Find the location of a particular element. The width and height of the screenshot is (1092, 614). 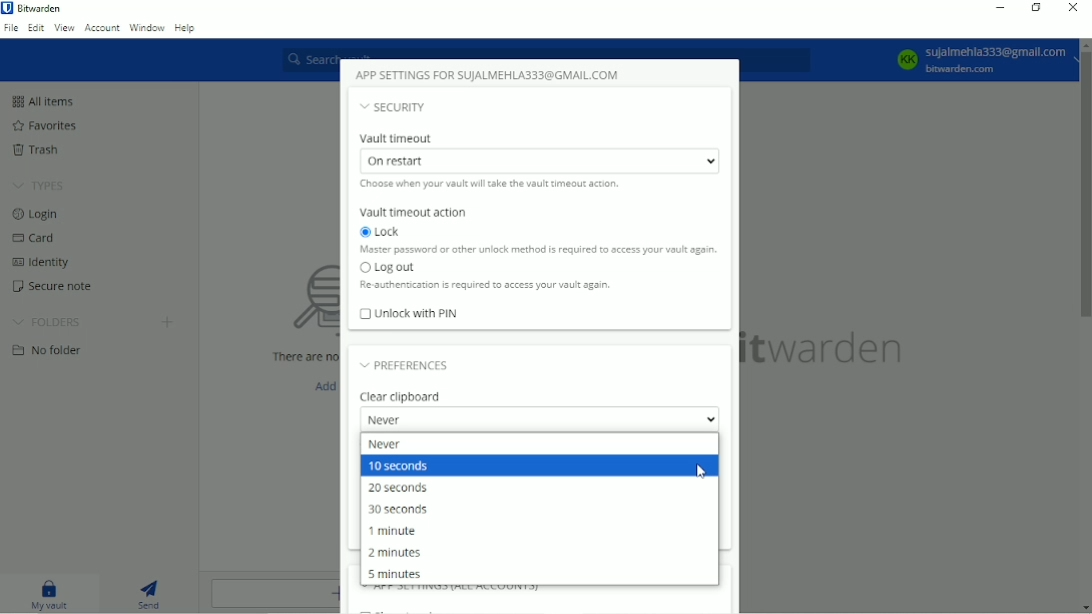

Login is located at coordinates (40, 214).